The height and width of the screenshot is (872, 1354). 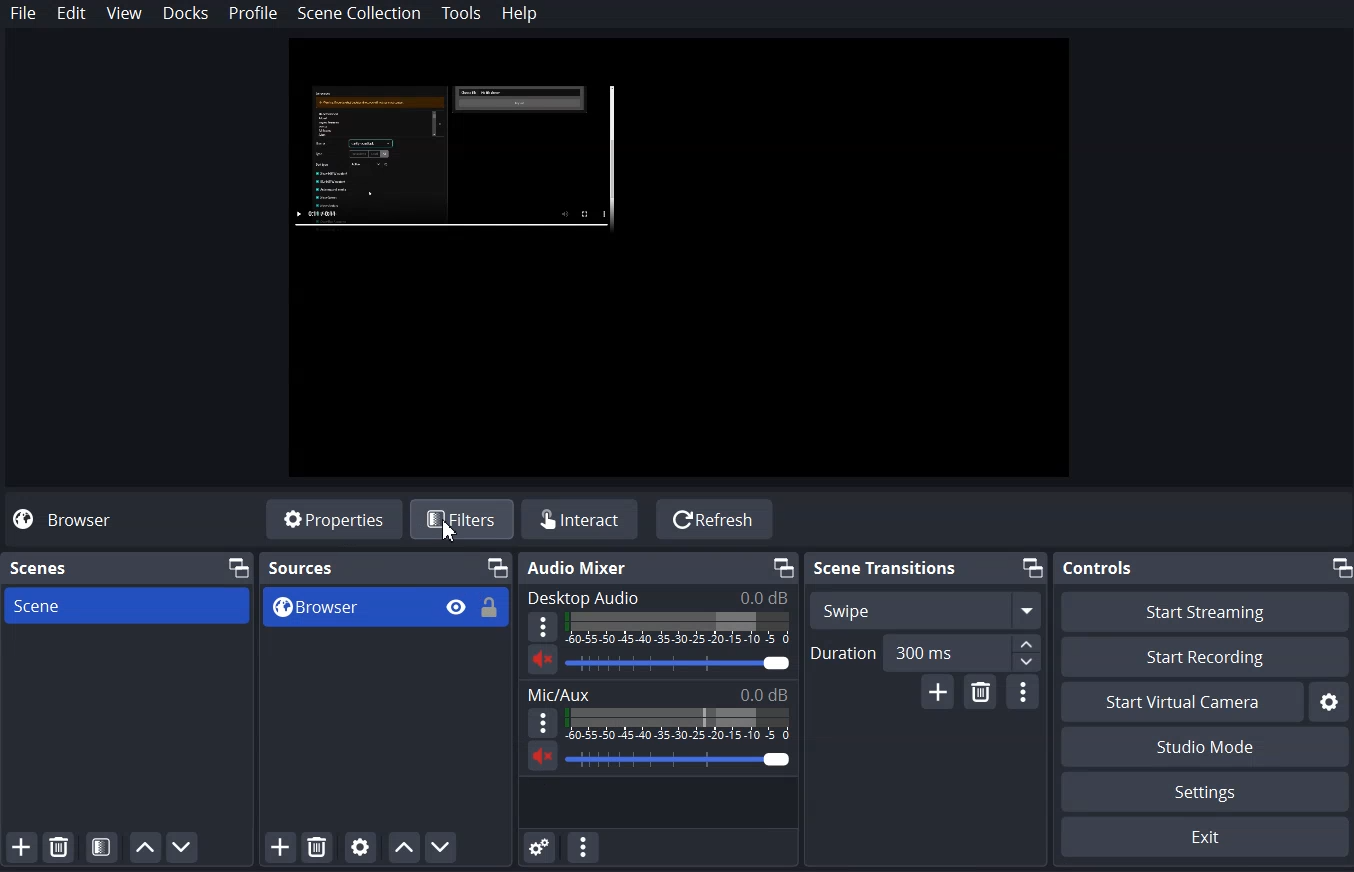 I want to click on Volume Adjuster, so click(x=677, y=663).